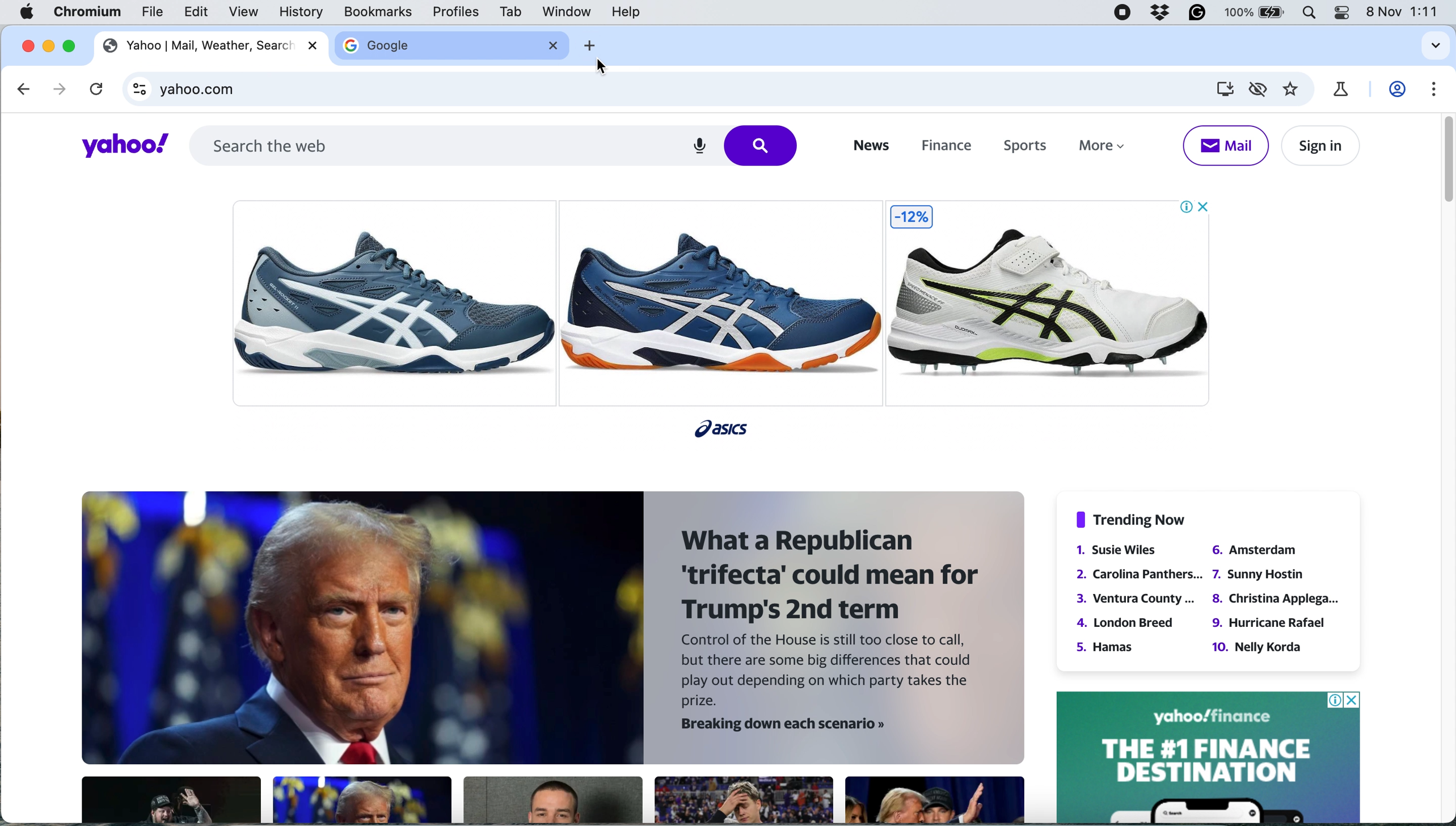 The height and width of the screenshot is (826, 1456). What do you see at coordinates (1161, 14) in the screenshot?
I see `dropbox` at bounding box center [1161, 14].